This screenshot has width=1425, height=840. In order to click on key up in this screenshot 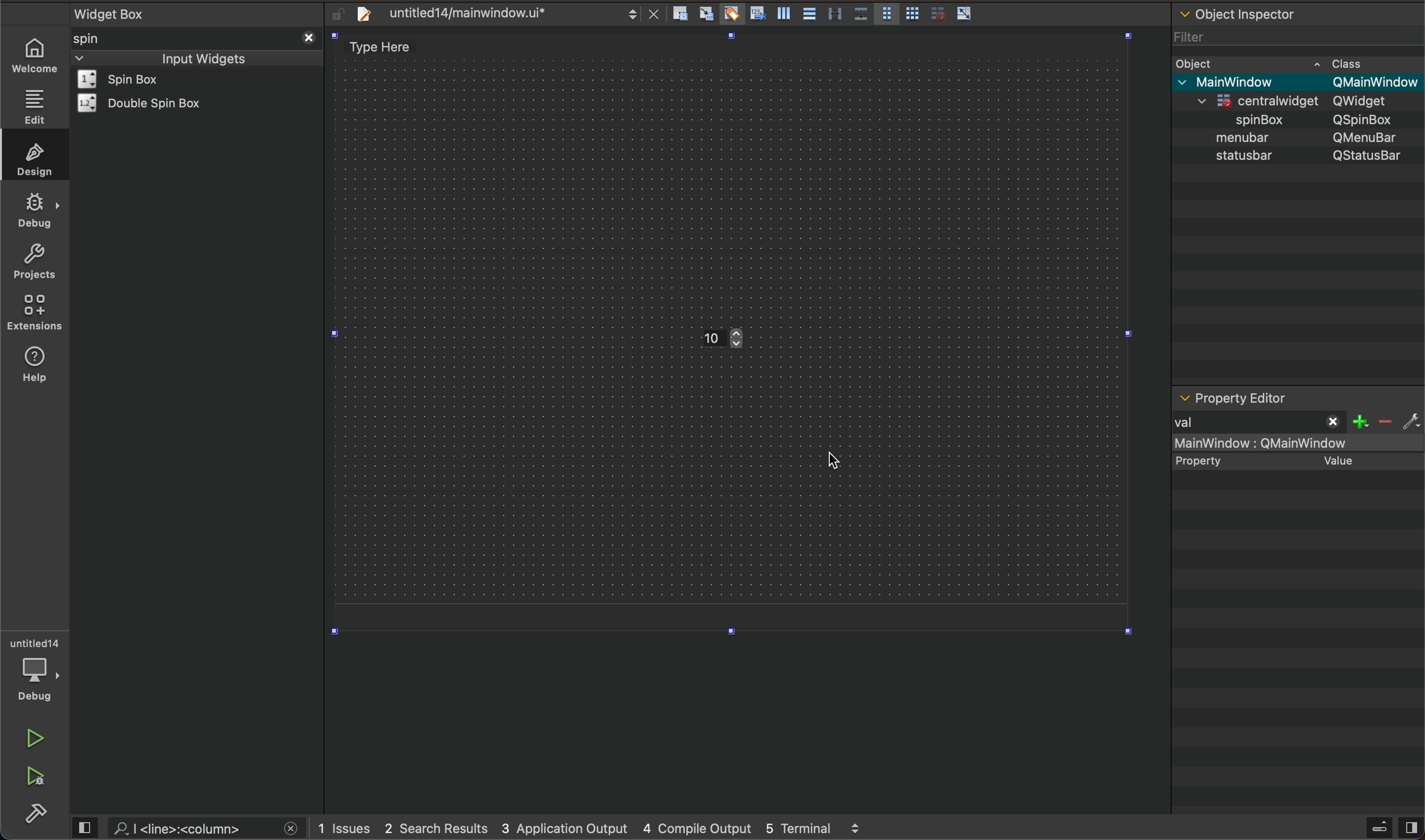, I will do `click(742, 341)`.